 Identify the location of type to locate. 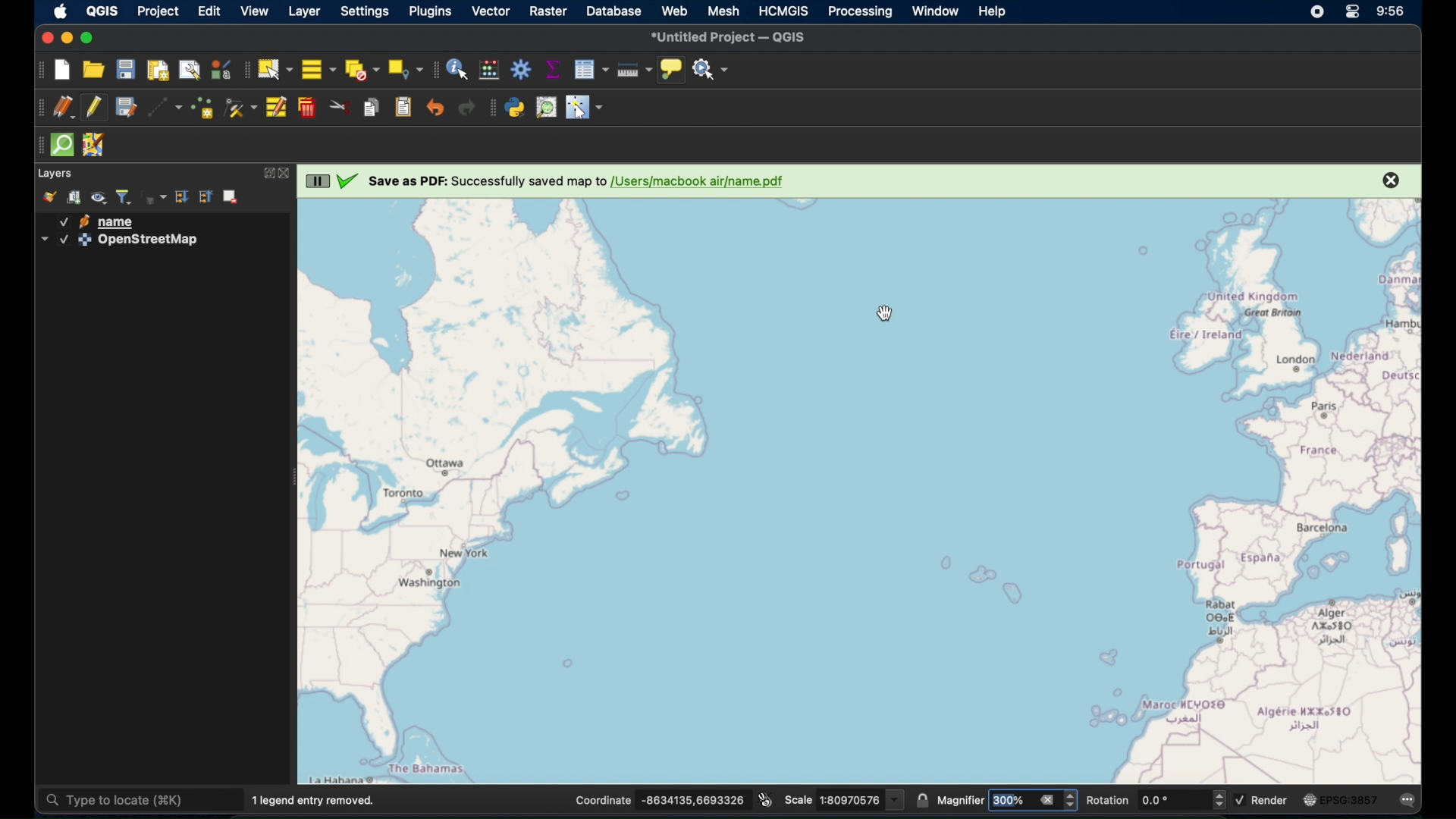
(139, 799).